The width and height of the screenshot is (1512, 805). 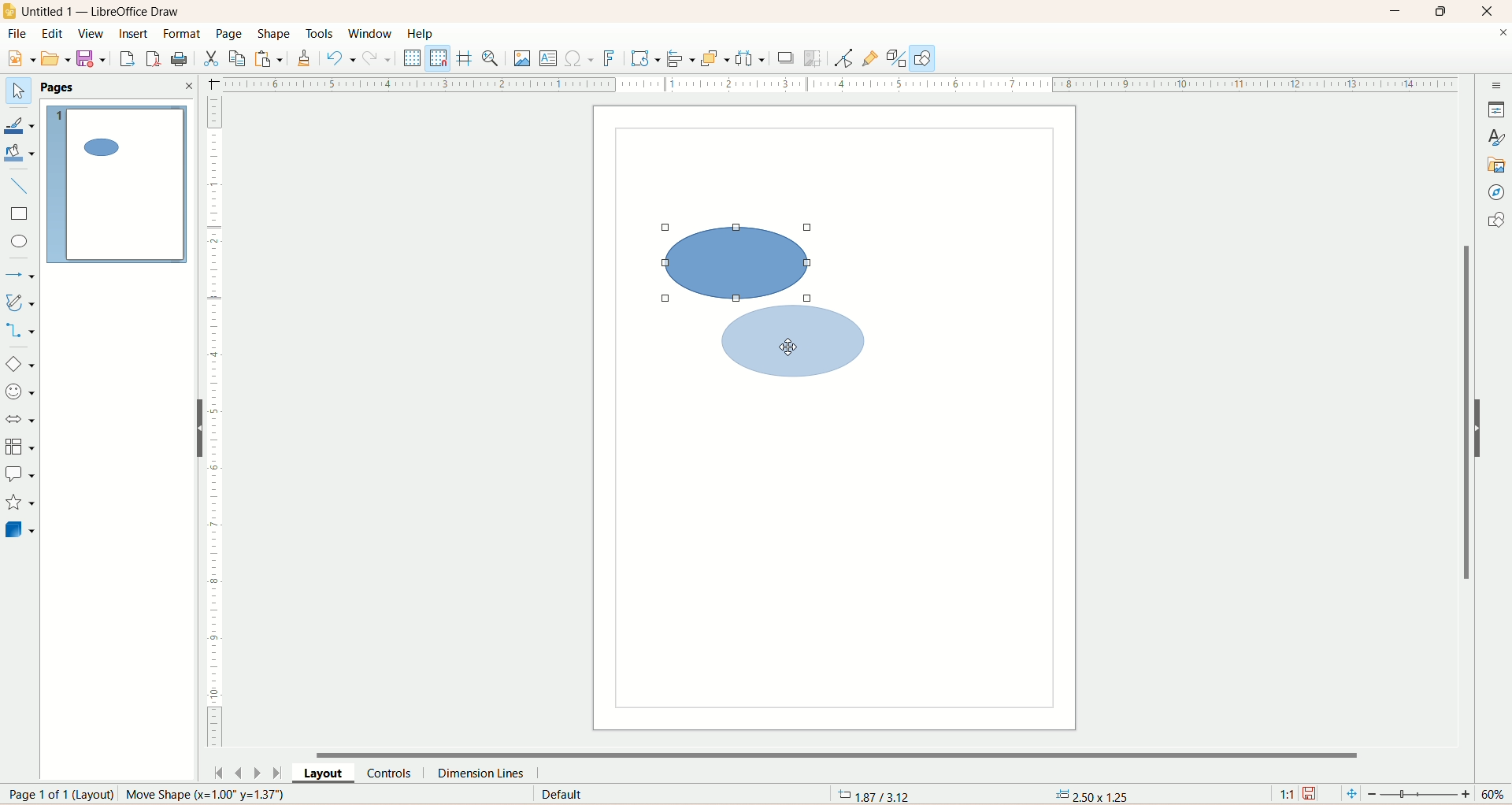 I want to click on page, so click(x=233, y=33).